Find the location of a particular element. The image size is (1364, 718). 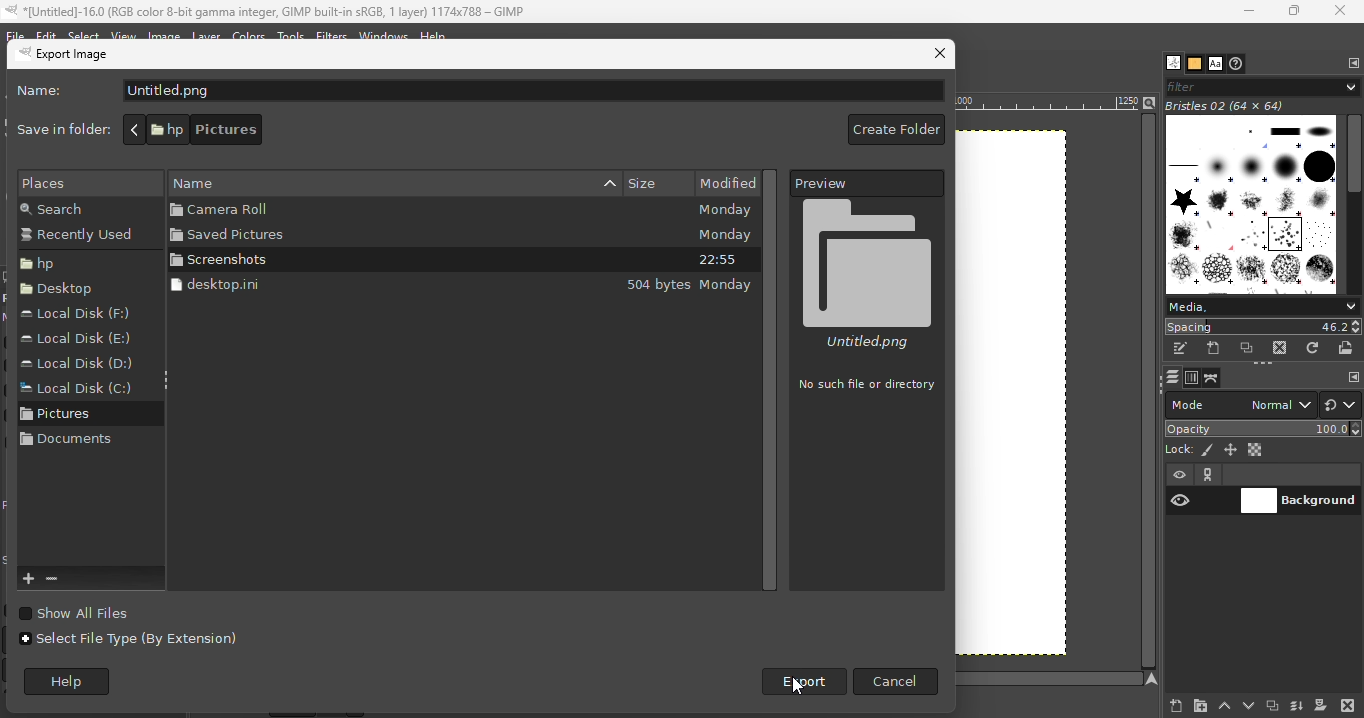

Tools is located at coordinates (292, 34).